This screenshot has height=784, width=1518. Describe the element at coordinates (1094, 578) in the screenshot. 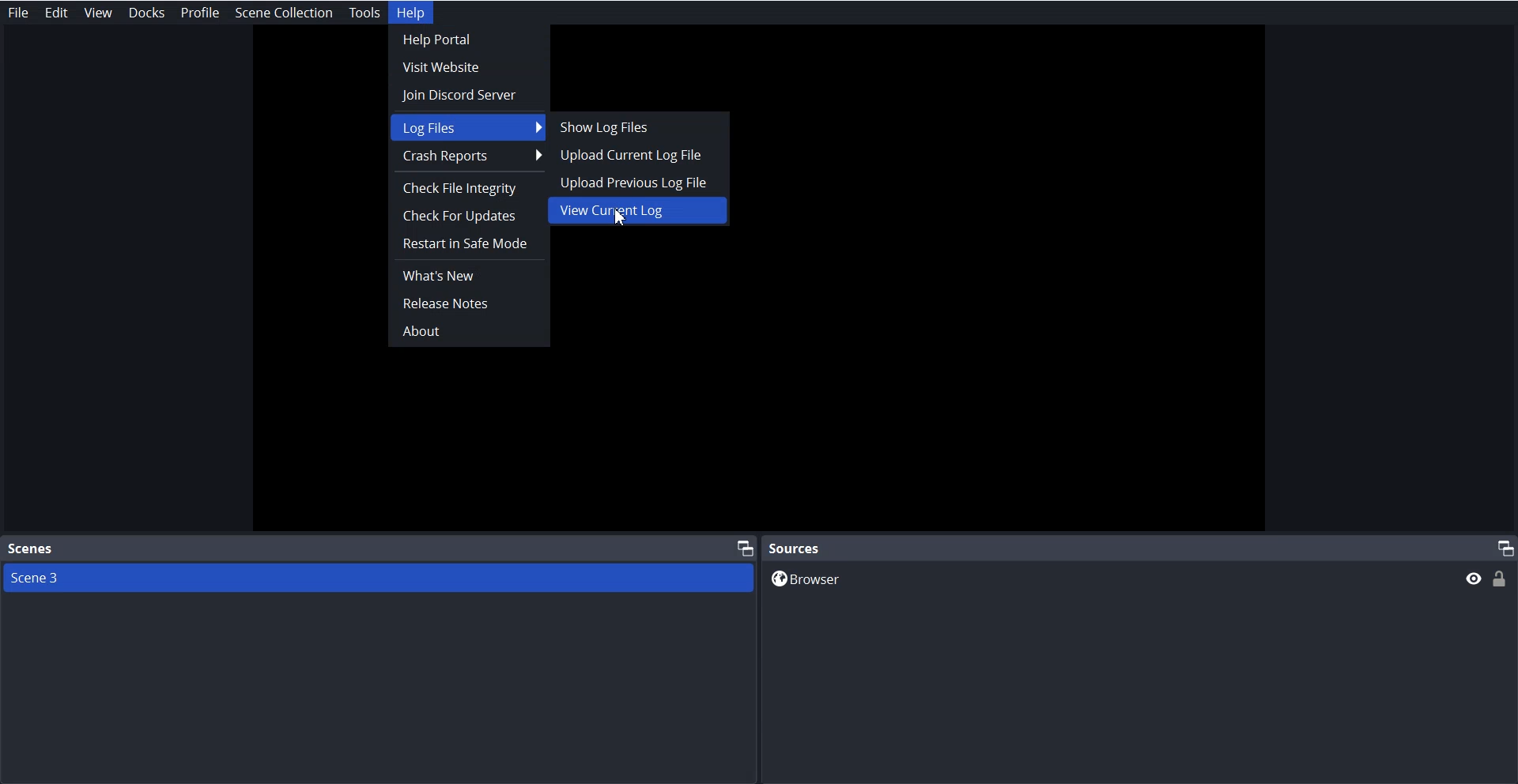

I see `Browser` at that location.